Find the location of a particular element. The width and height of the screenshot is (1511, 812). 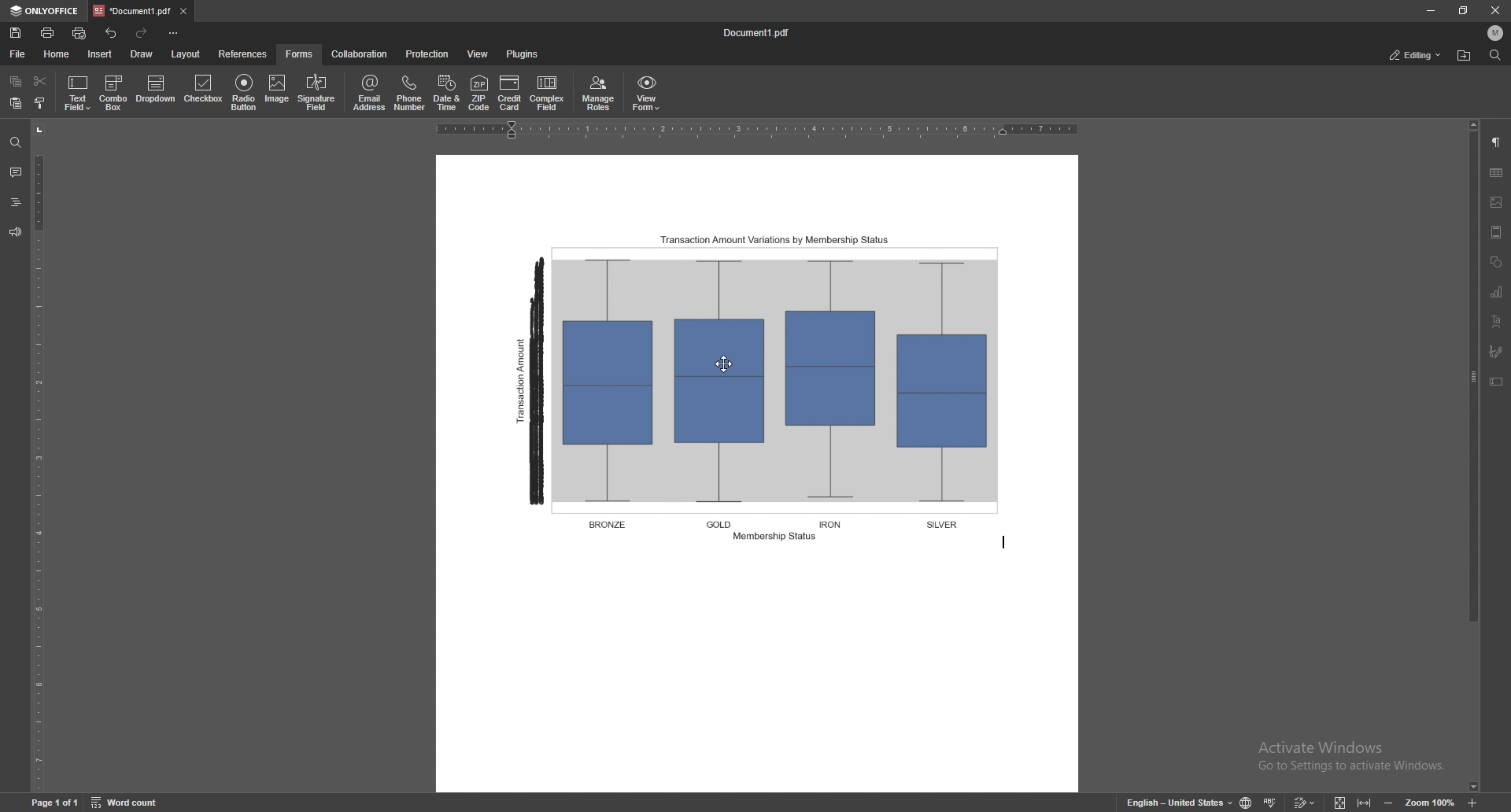

file name is located at coordinates (756, 33).